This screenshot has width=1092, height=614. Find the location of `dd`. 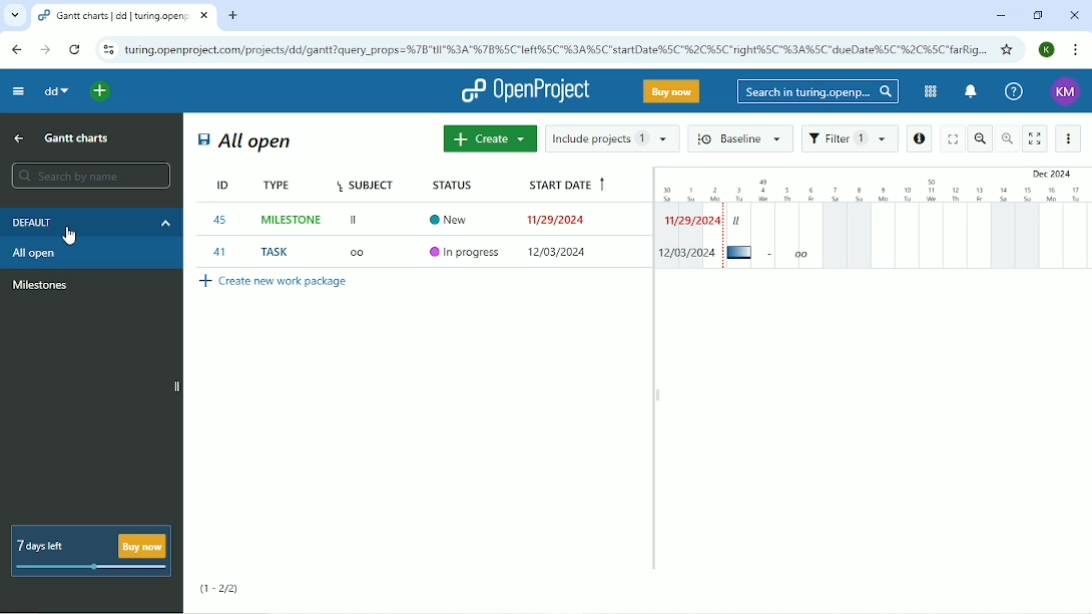

dd is located at coordinates (55, 93).